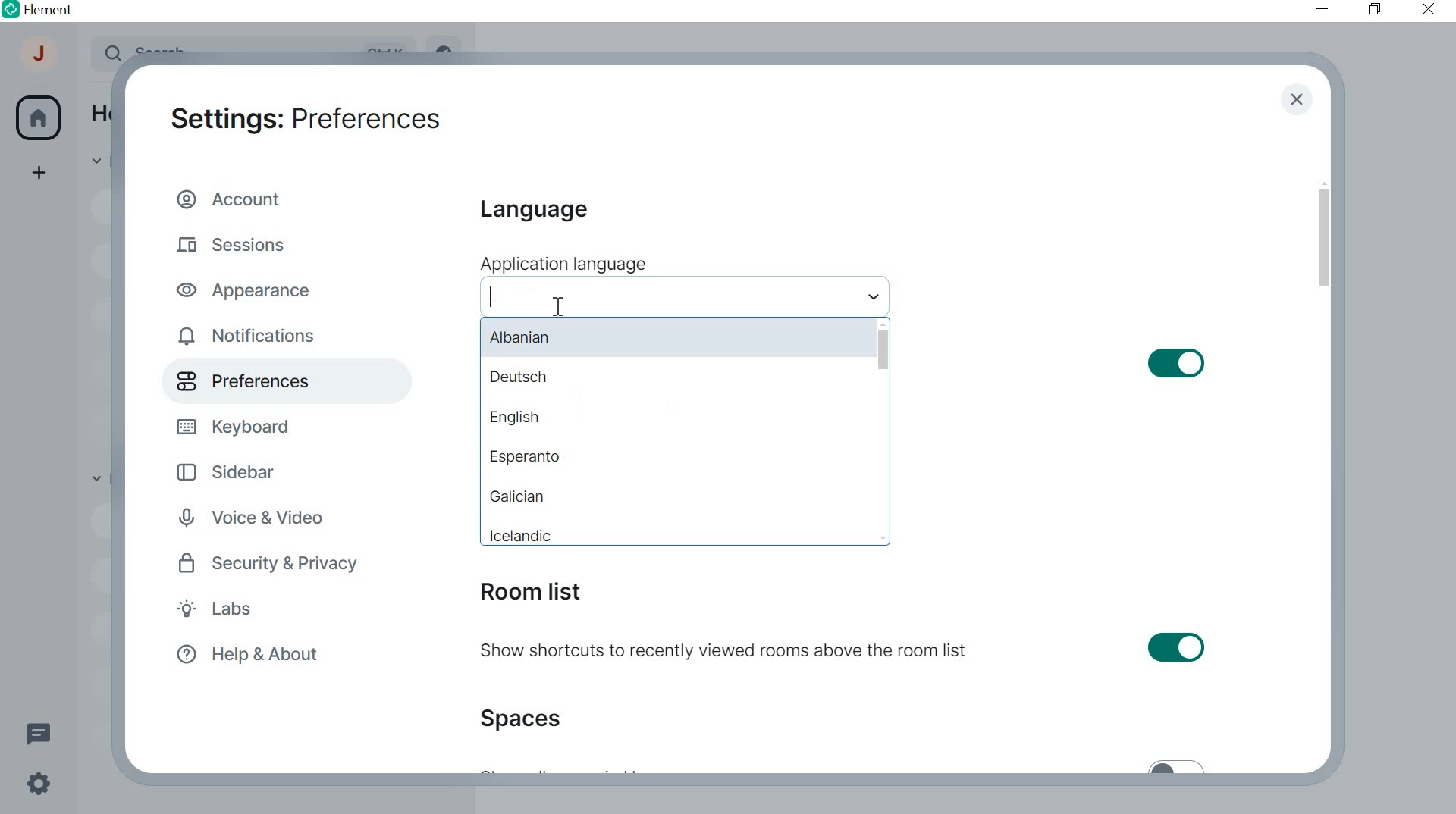 Image resolution: width=1456 pixels, height=814 pixels. I want to click on scroll down, so click(885, 537).